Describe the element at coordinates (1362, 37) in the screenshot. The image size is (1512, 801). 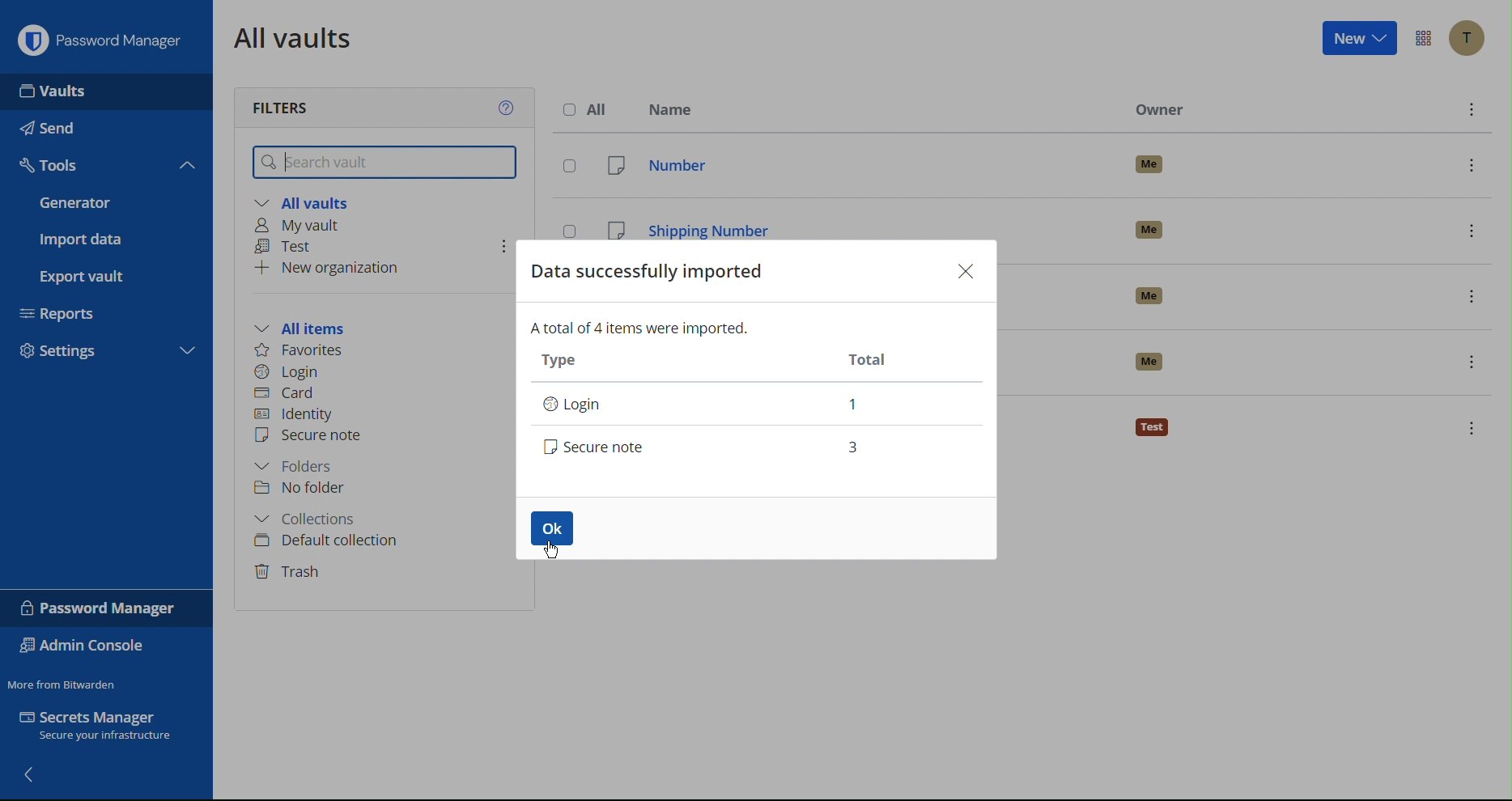
I see `New` at that location.